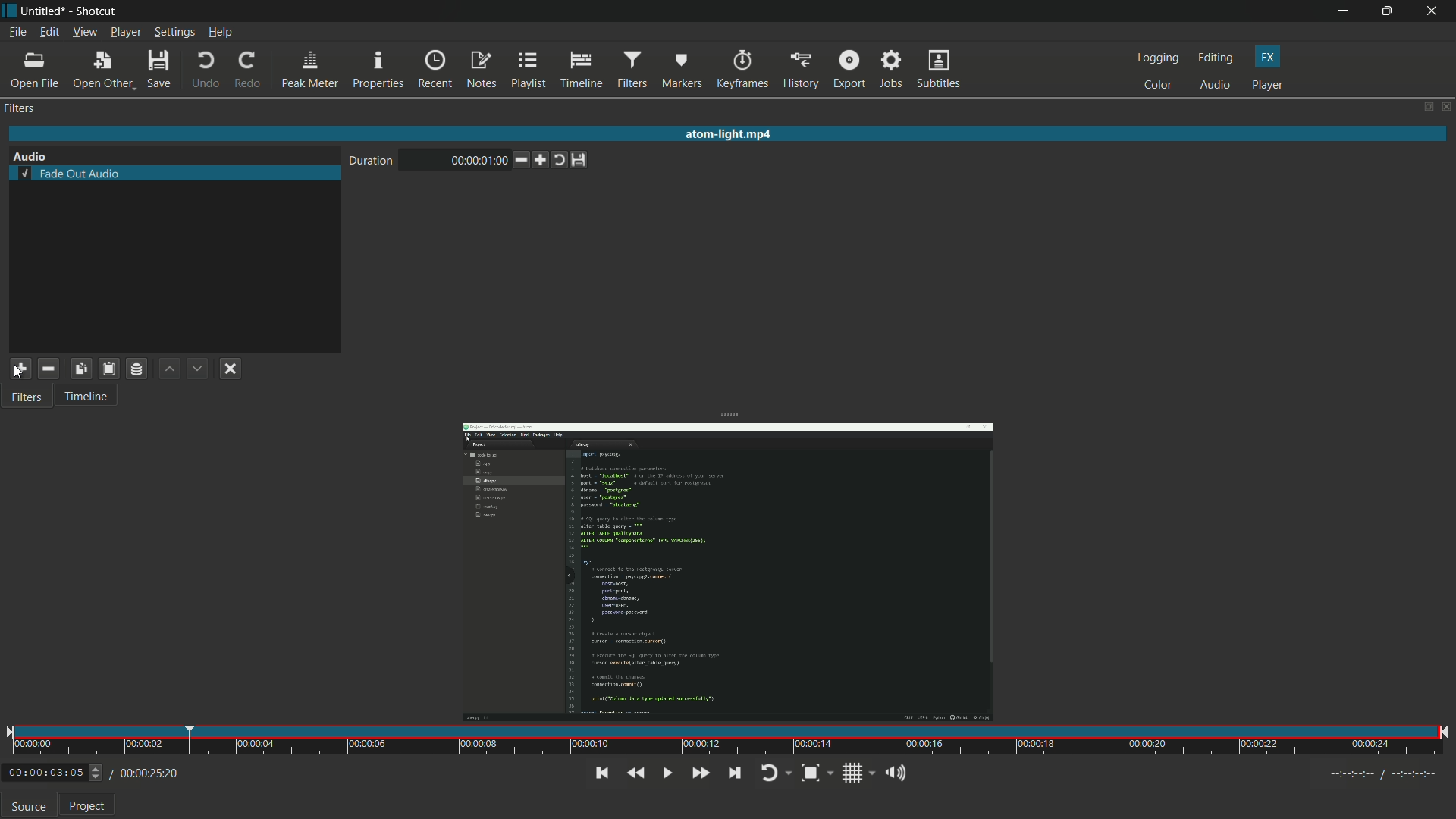  Describe the element at coordinates (98, 11) in the screenshot. I see `app name` at that location.